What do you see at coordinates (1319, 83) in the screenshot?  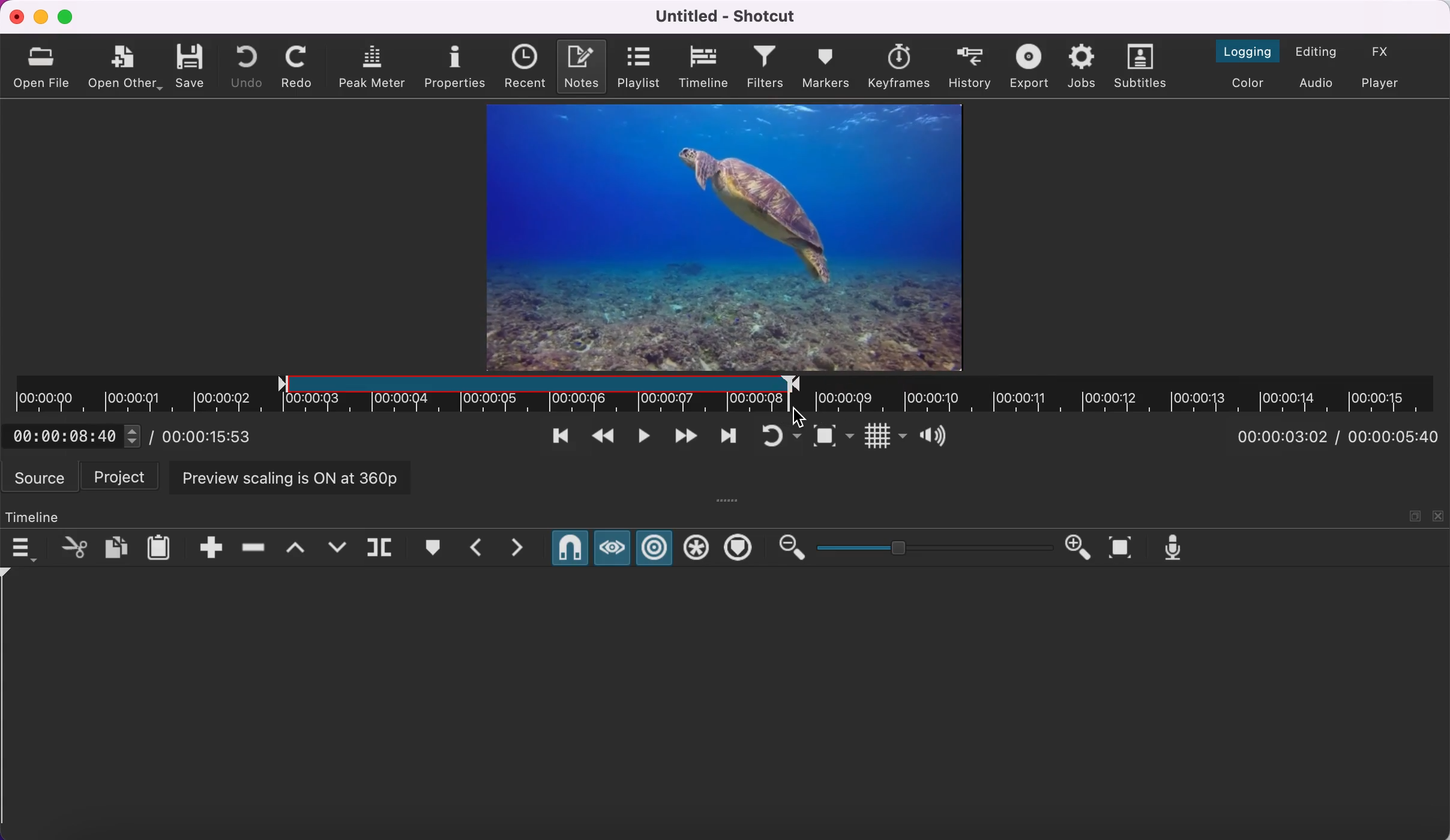 I see `switch to audio layout` at bounding box center [1319, 83].